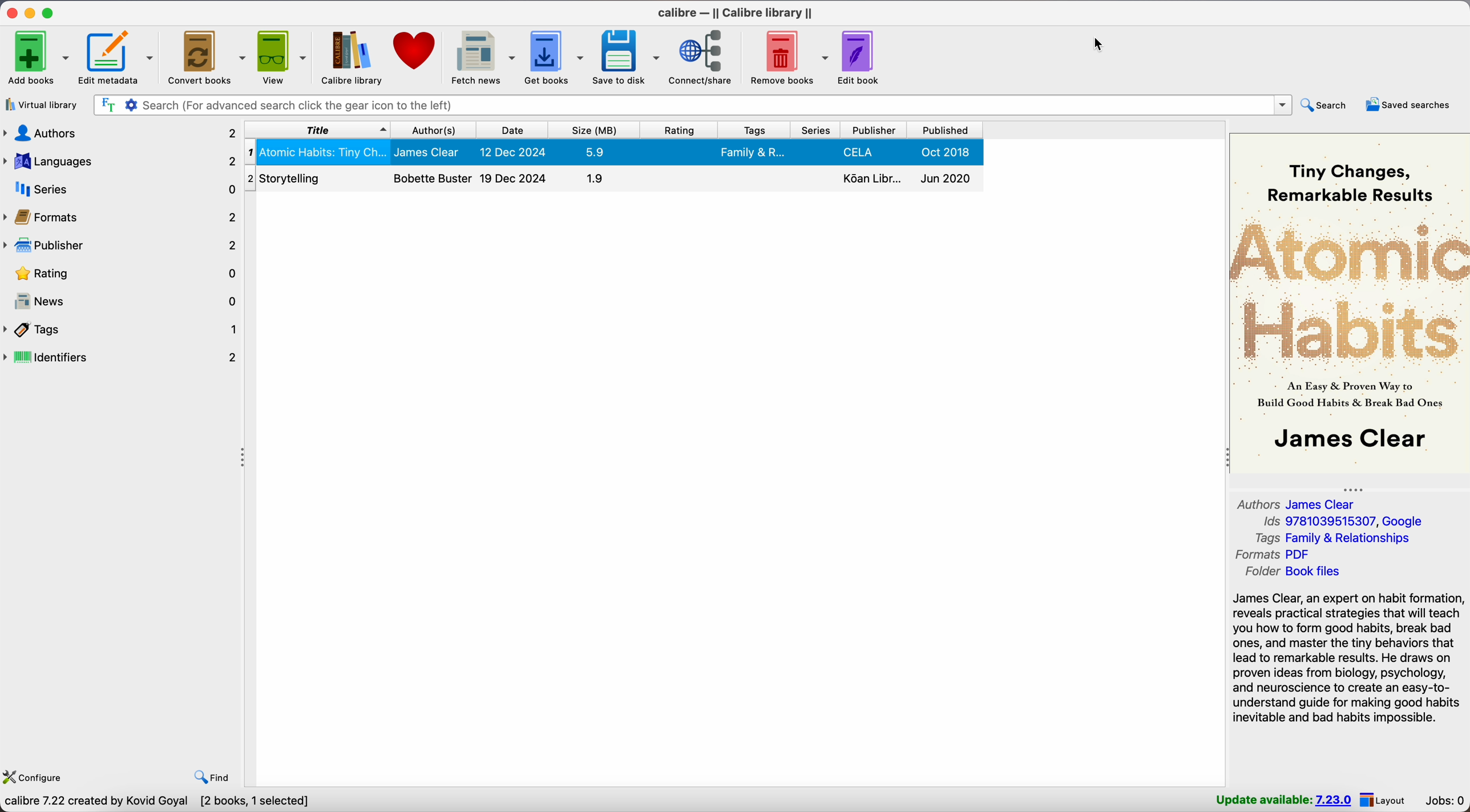 The image size is (1470, 812). I want to click on authors James Clear, so click(1297, 504).